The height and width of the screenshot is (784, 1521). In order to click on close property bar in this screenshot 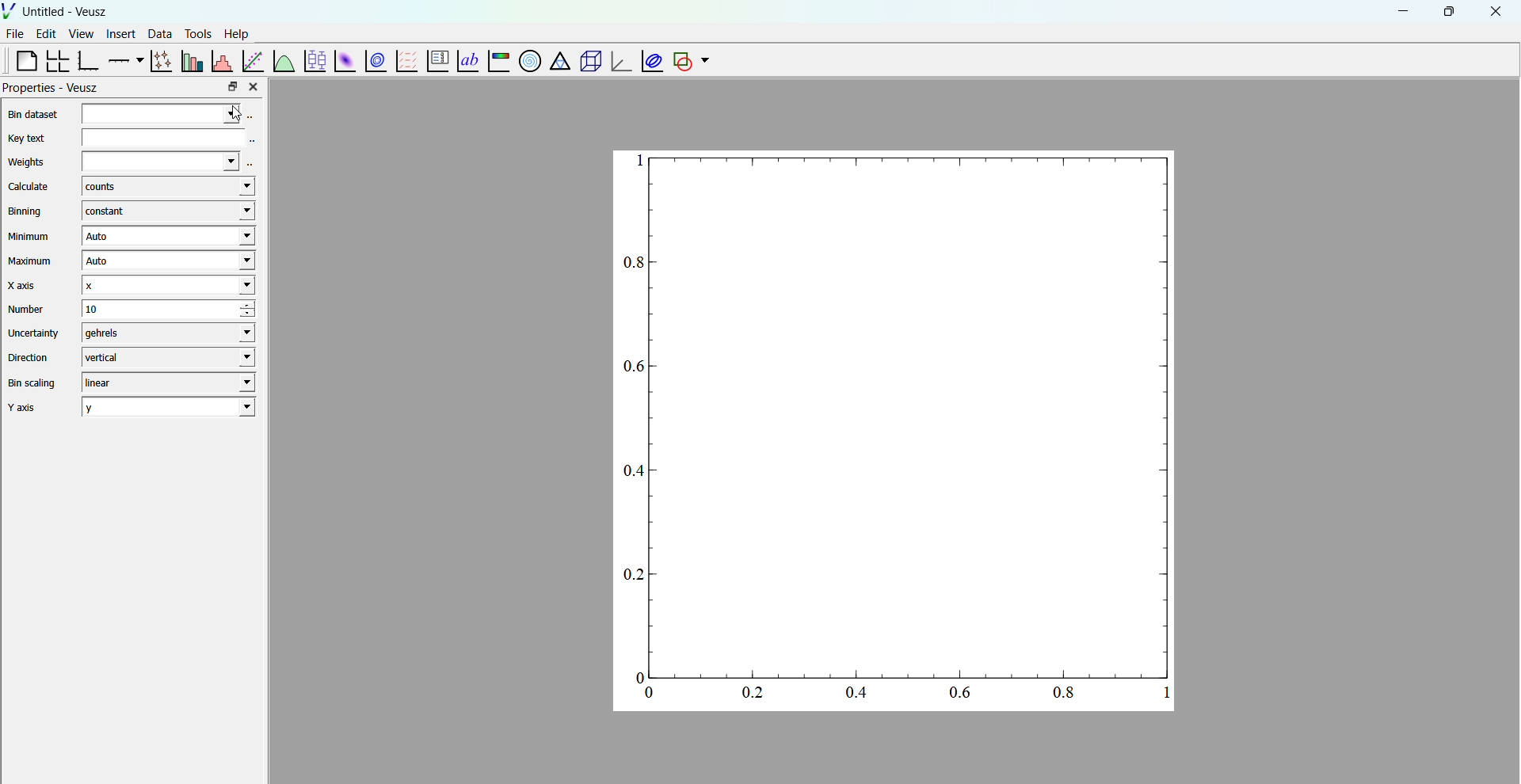, I will do `click(255, 86)`.